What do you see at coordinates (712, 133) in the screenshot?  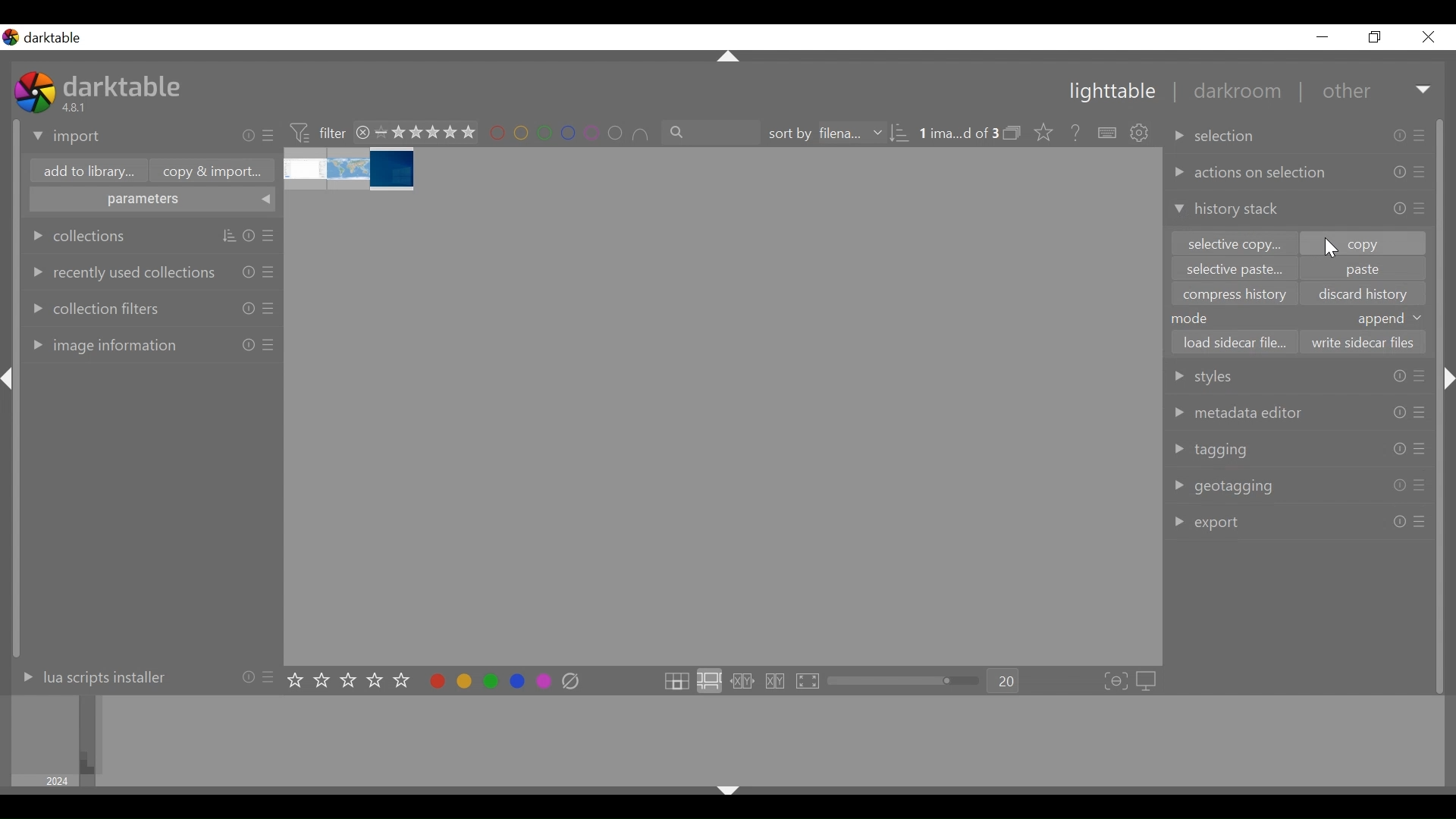 I see `filter by text` at bounding box center [712, 133].